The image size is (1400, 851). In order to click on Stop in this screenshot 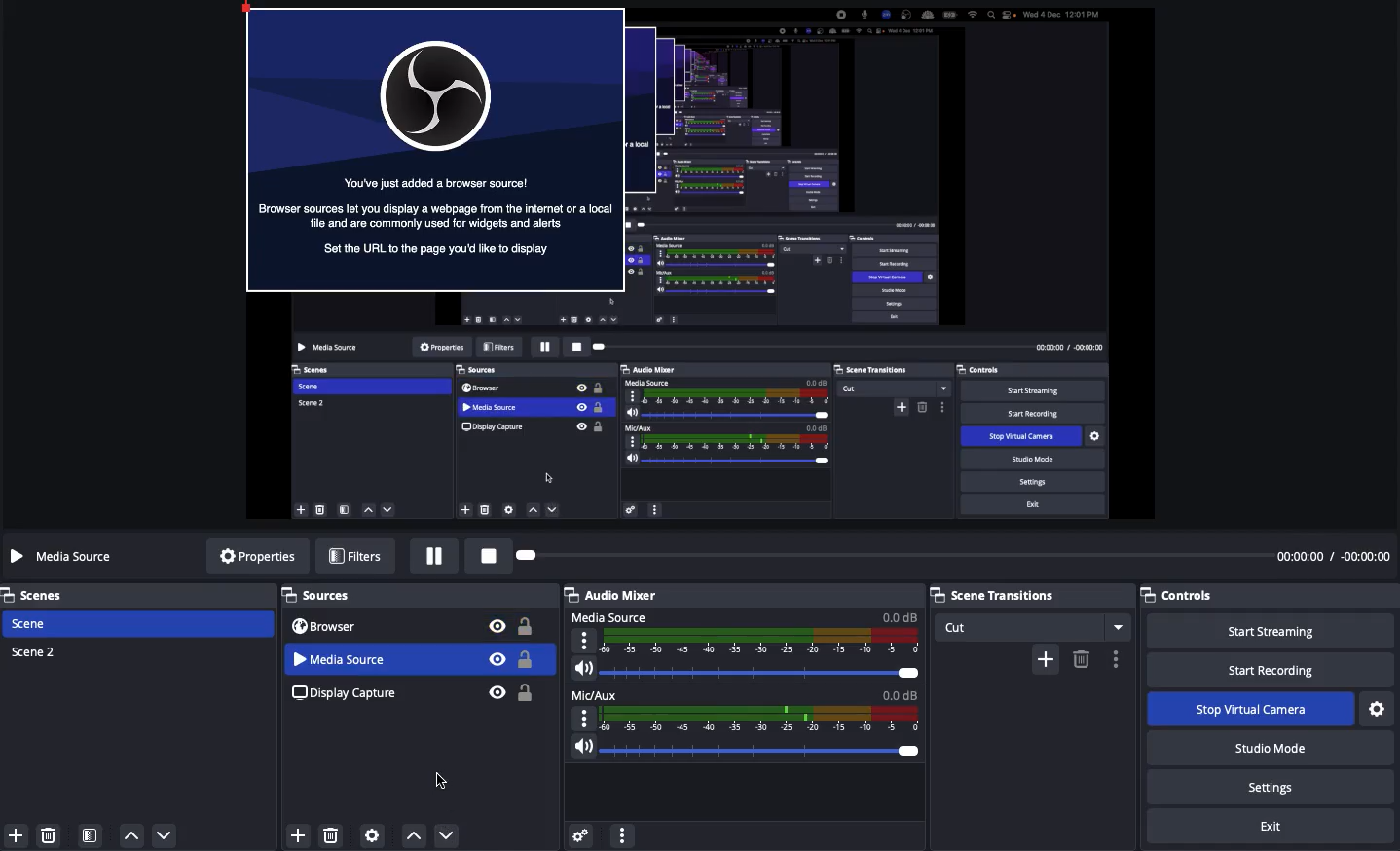, I will do `click(485, 554)`.